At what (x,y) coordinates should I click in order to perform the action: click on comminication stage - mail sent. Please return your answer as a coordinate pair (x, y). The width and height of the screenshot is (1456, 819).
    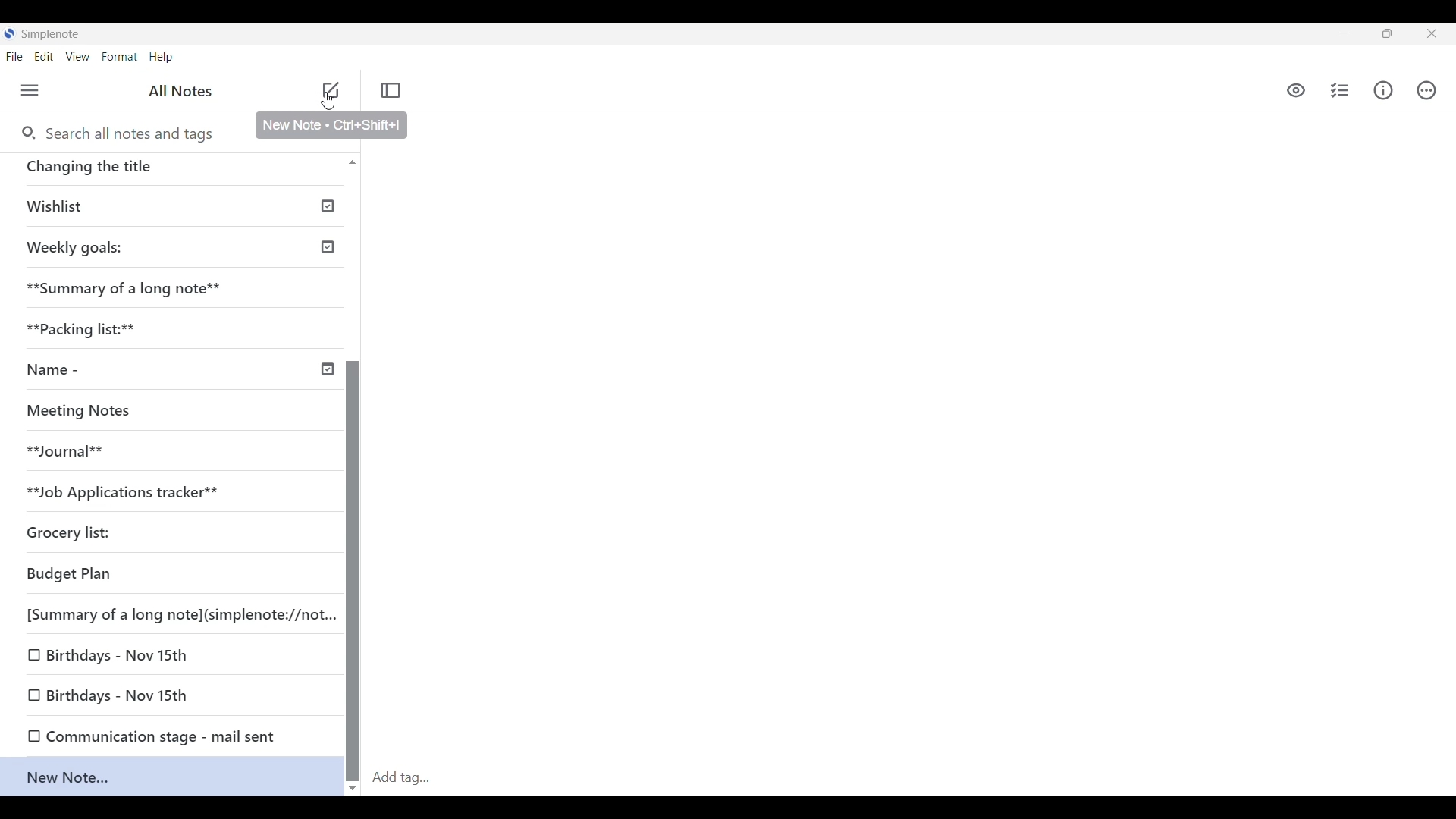
    Looking at the image, I should click on (163, 733).